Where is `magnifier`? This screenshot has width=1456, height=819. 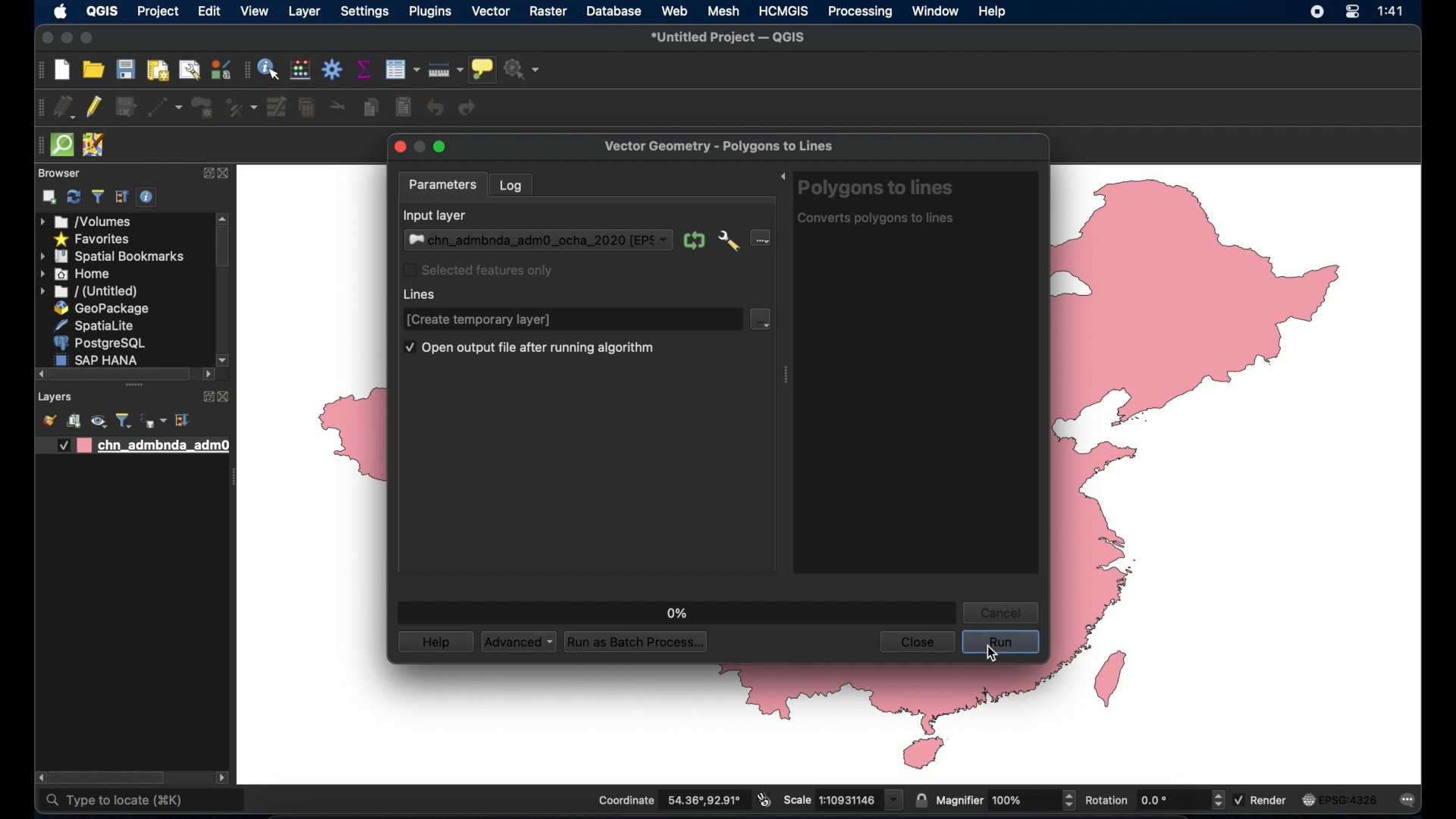 magnifier is located at coordinates (1006, 799).